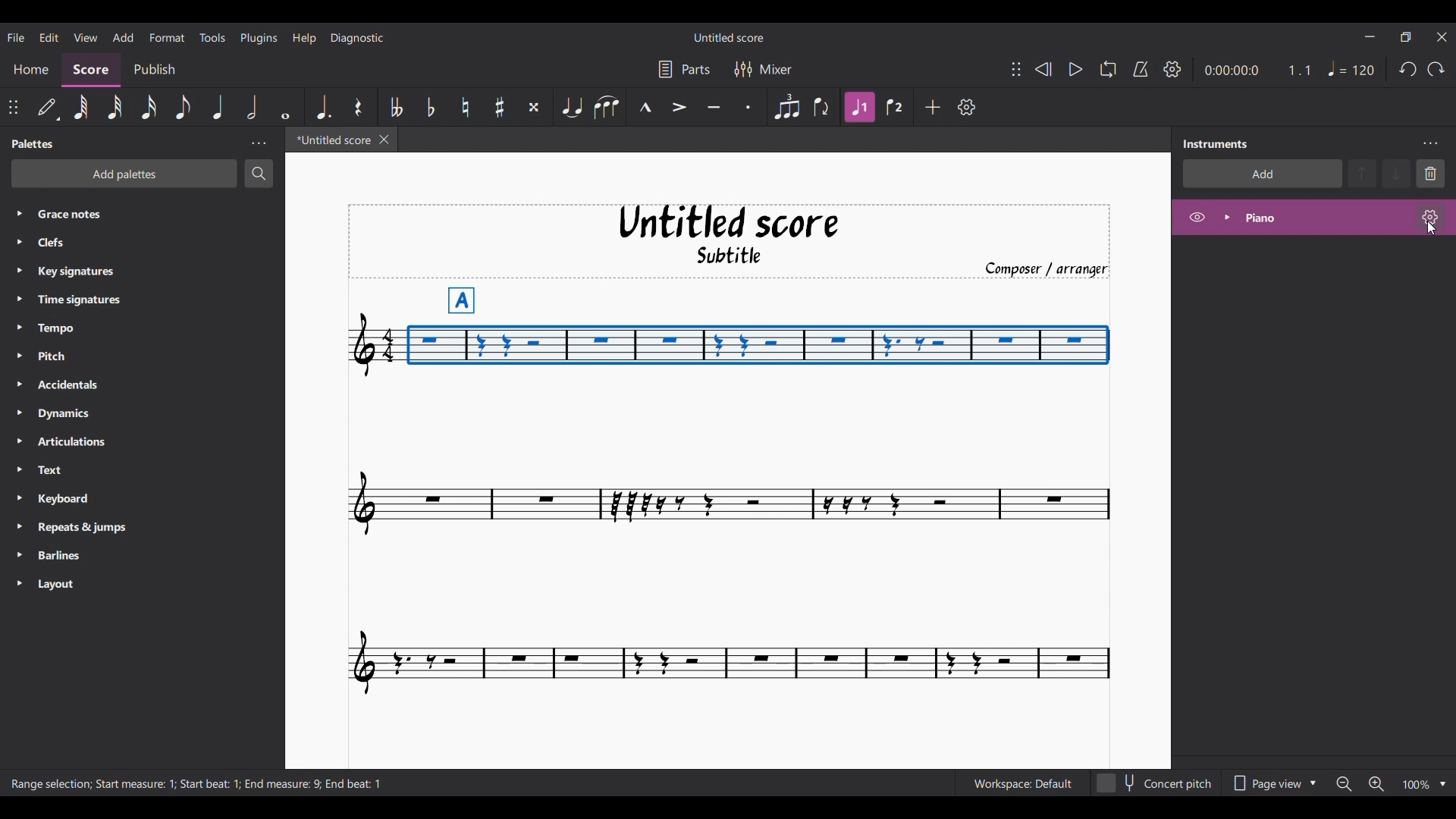 This screenshot has height=819, width=1456. I want to click on Diagnostic menu, so click(358, 38).